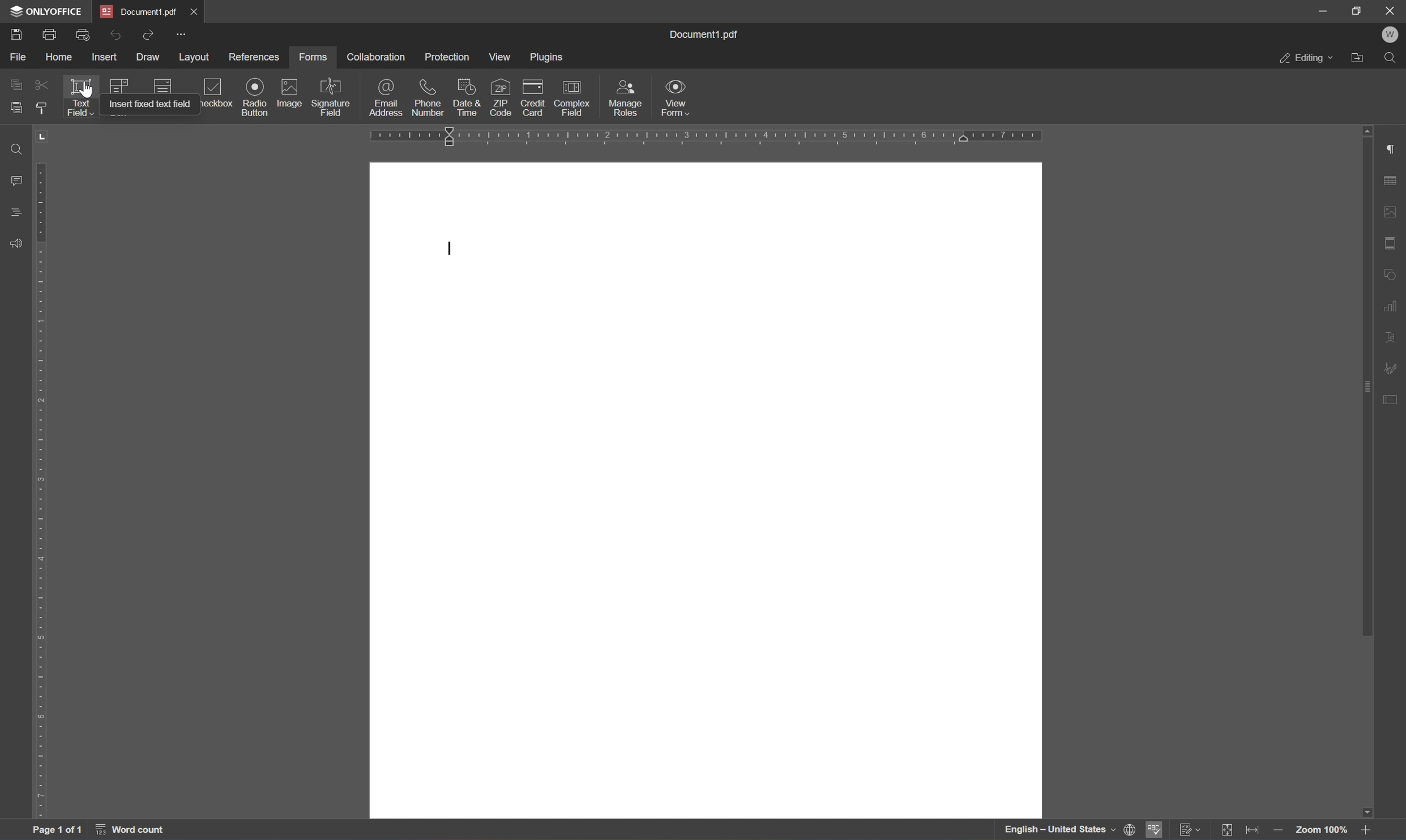  Describe the element at coordinates (15, 244) in the screenshot. I see `feedback and support` at that location.